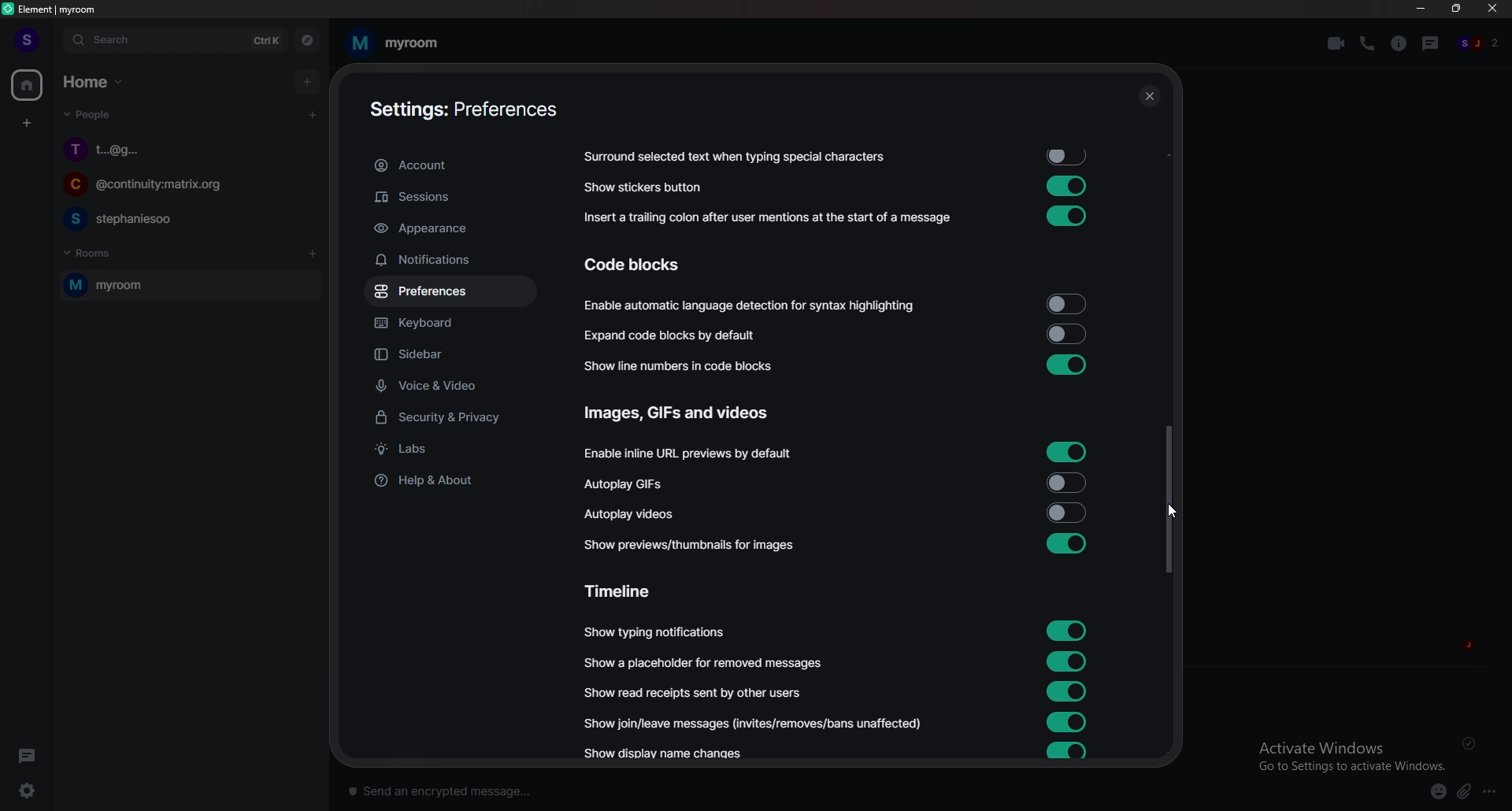 This screenshot has width=1512, height=811. I want to click on chat, so click(186, 218).